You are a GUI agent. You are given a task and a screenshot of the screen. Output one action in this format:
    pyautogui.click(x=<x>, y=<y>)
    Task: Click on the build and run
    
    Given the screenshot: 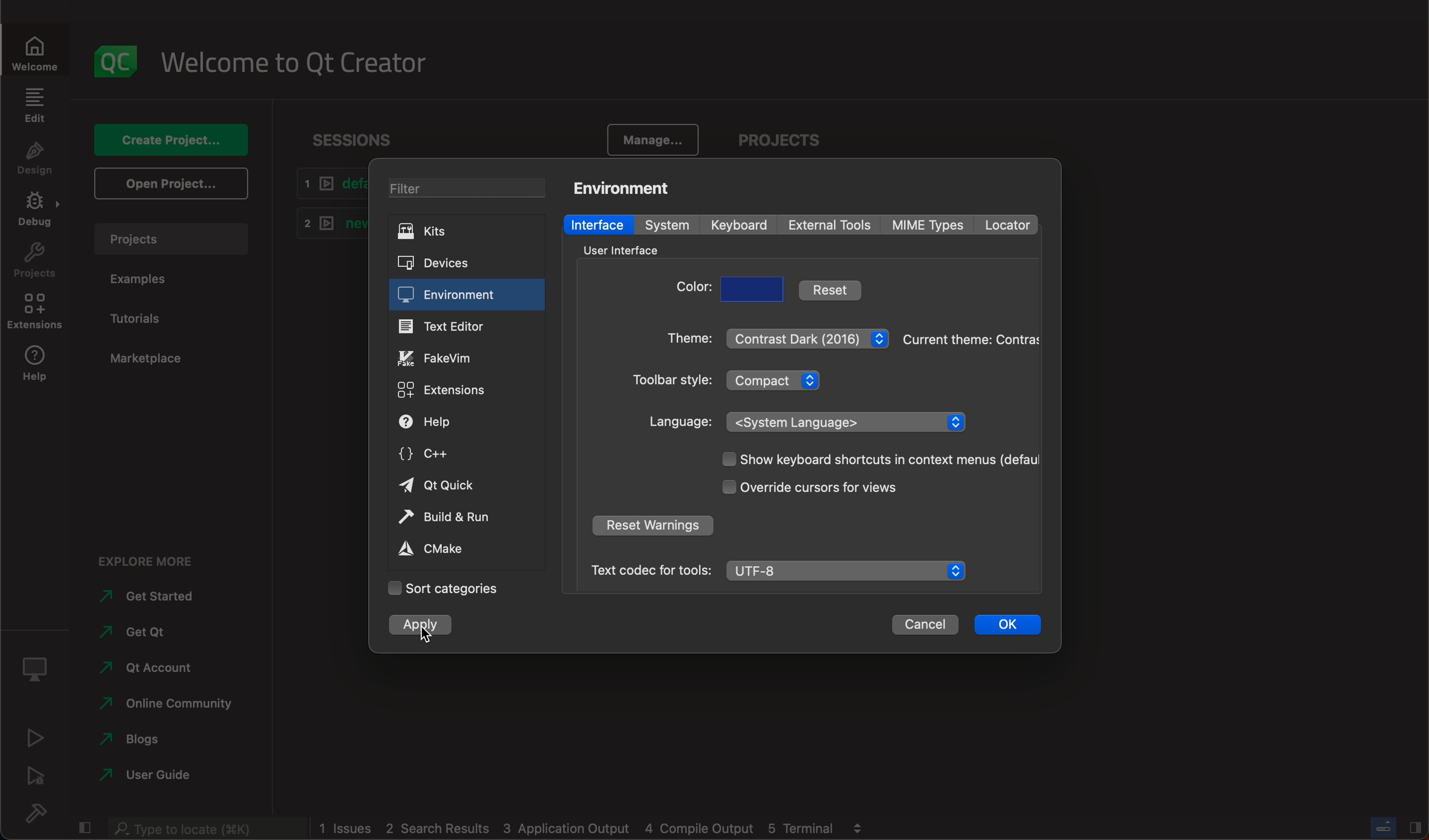 What is the action you would take?
    pyautogui.click(x=460, y=517)
    